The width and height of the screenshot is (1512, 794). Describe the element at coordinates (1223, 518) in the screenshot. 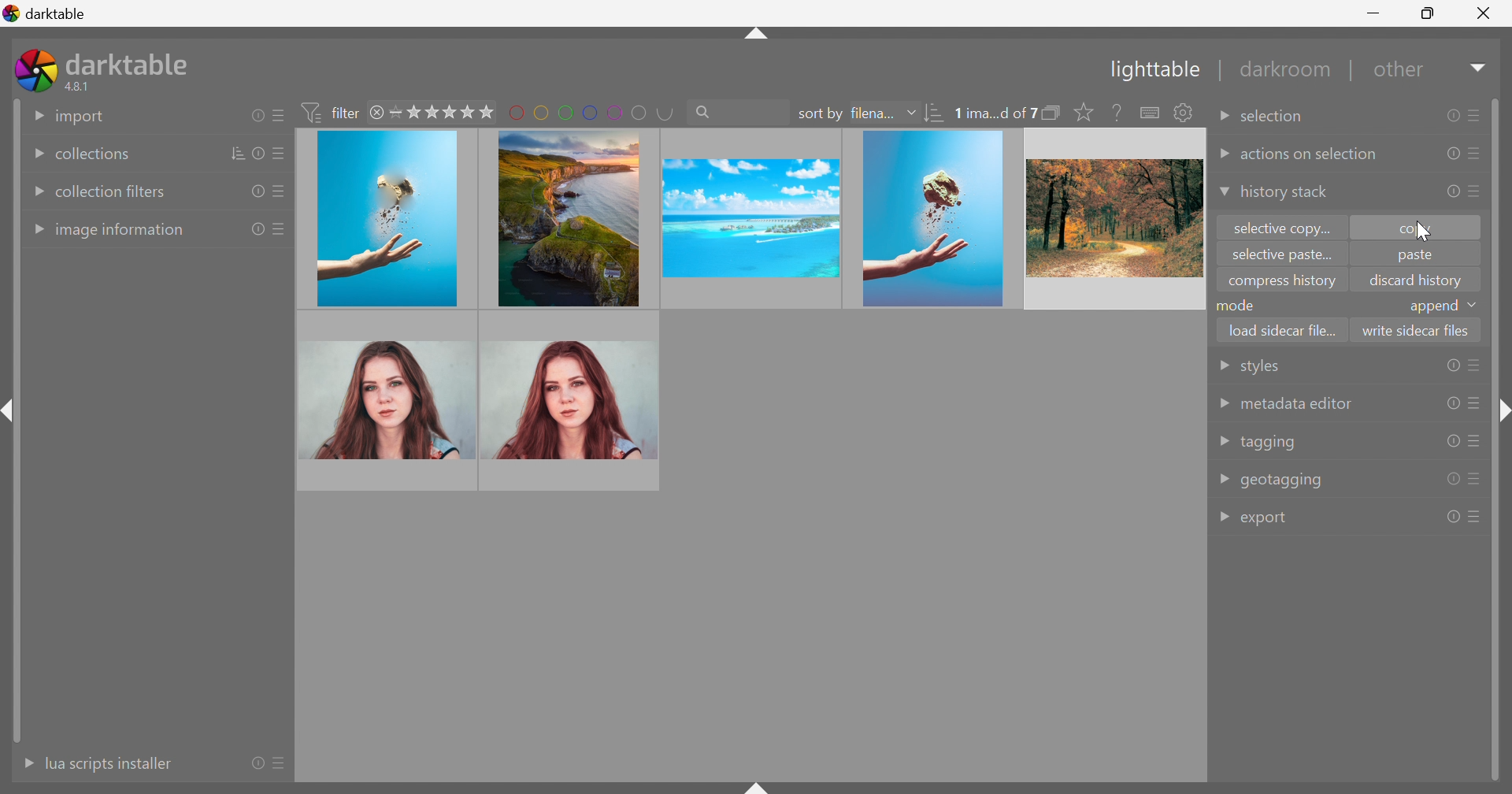

I see `Drop Down` at that location.